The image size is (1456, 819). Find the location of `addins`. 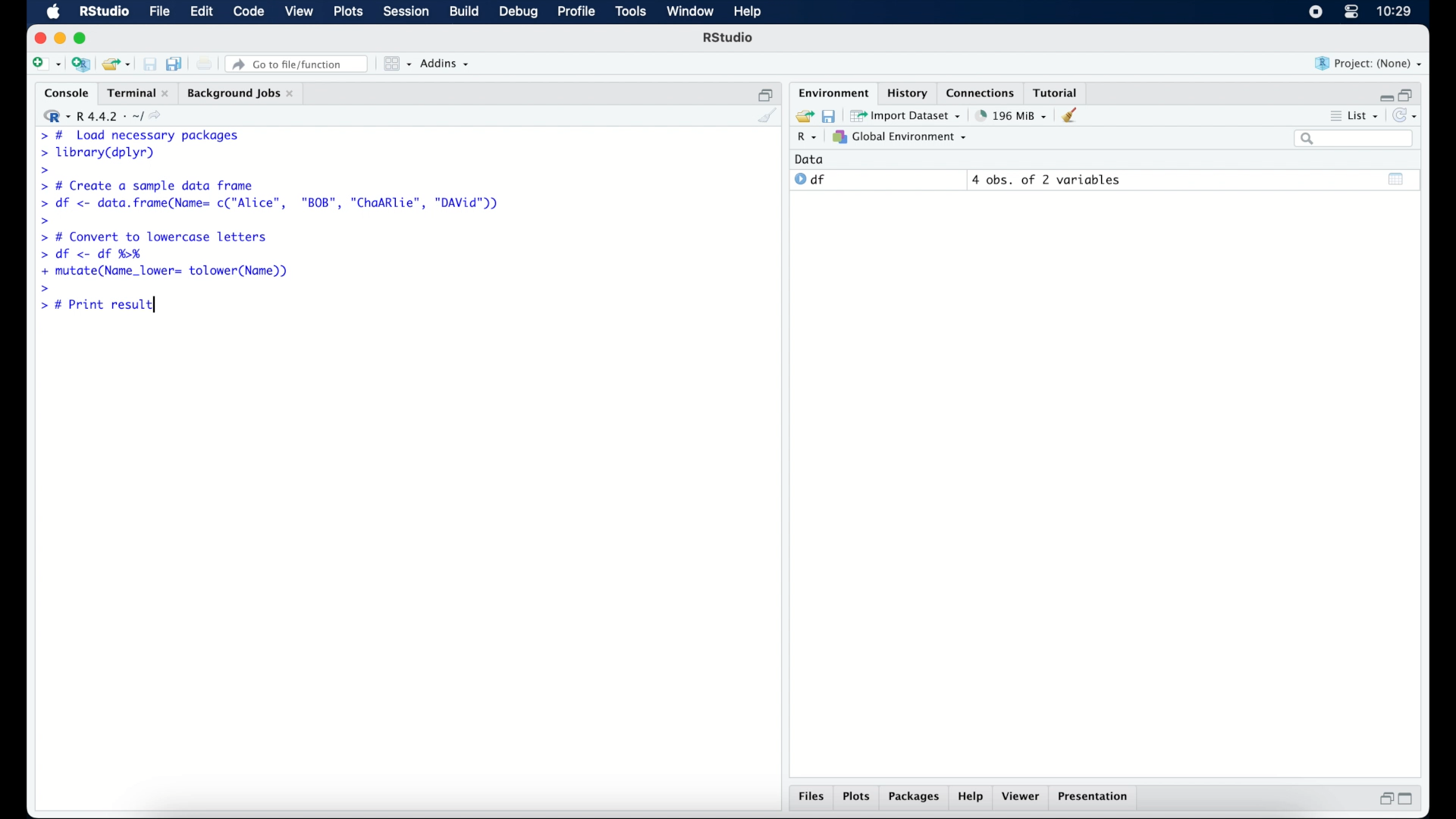

addins is located at coordinates (445, 64).